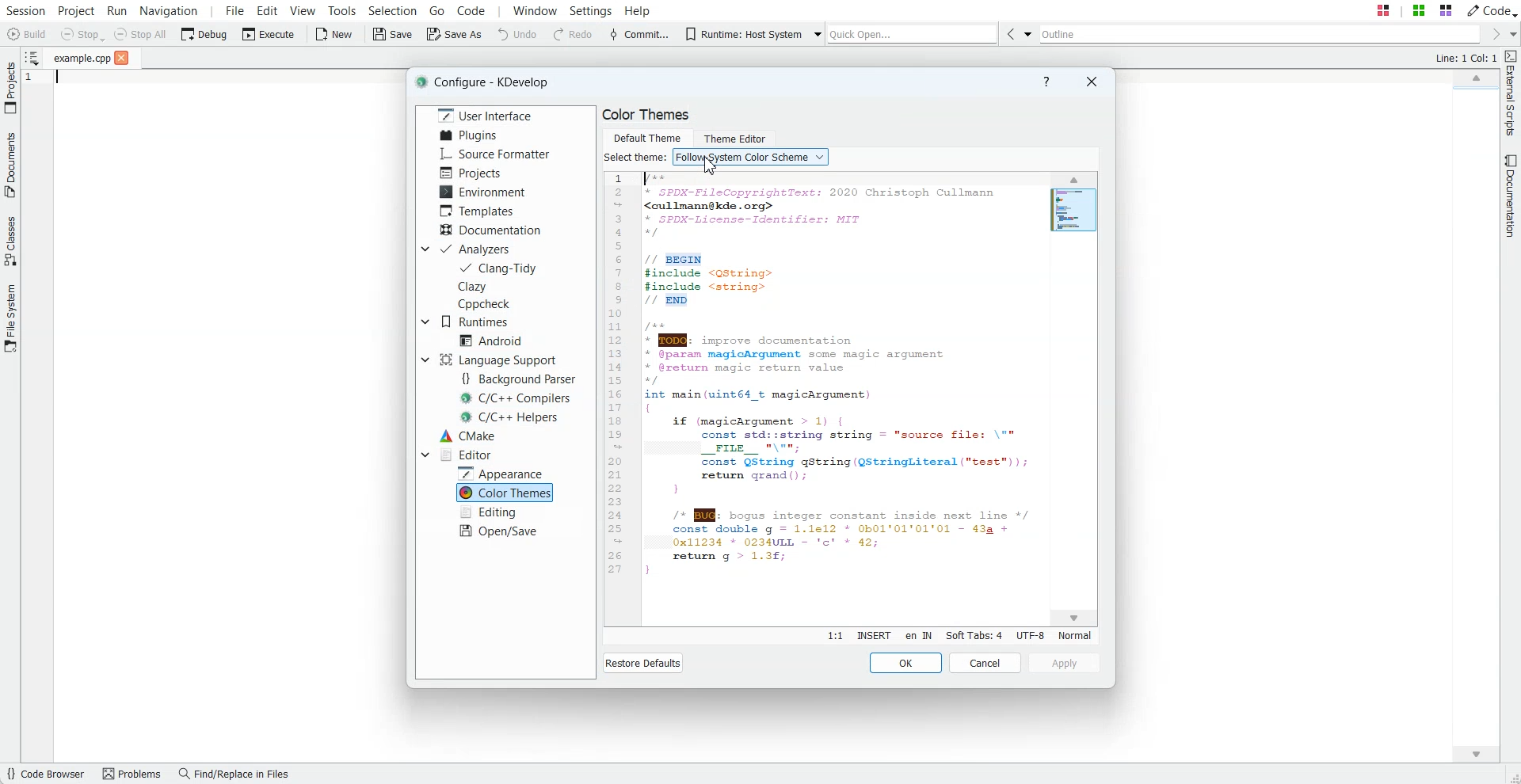 This screenshot has width=1521, height=784. Describe the element at coordinates (827, 397) in the screenshot. I see `Text` at that location.